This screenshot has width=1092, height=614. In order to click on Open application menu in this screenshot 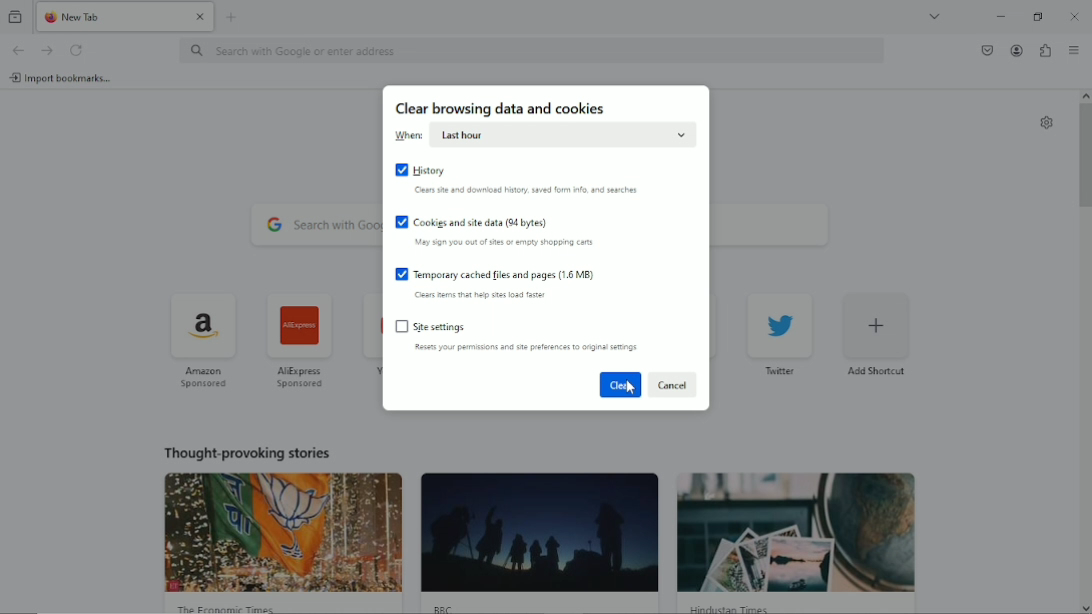, I will do `click(1074, 50)`.